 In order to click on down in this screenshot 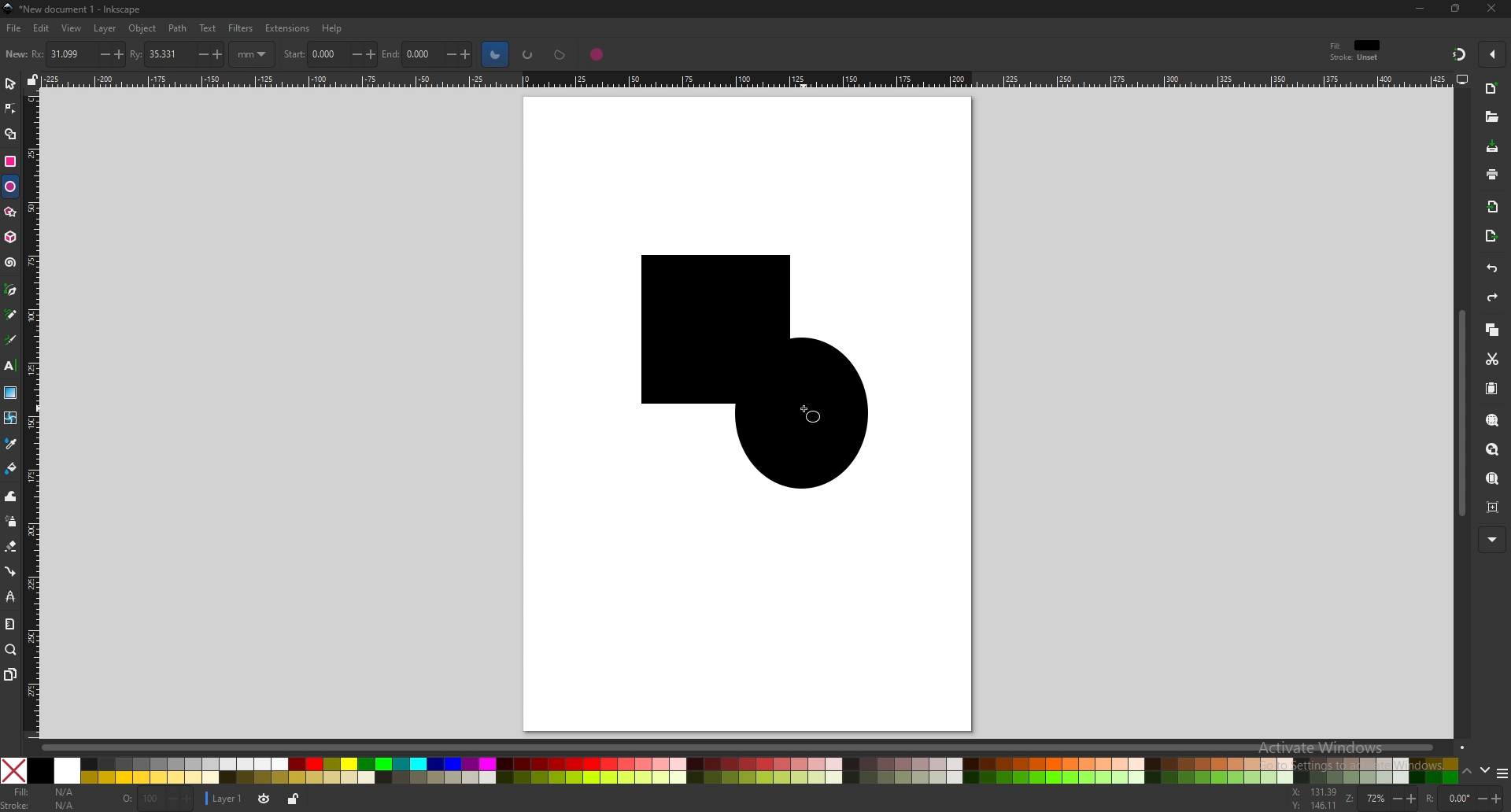, I will do `click(1487, 773)`.